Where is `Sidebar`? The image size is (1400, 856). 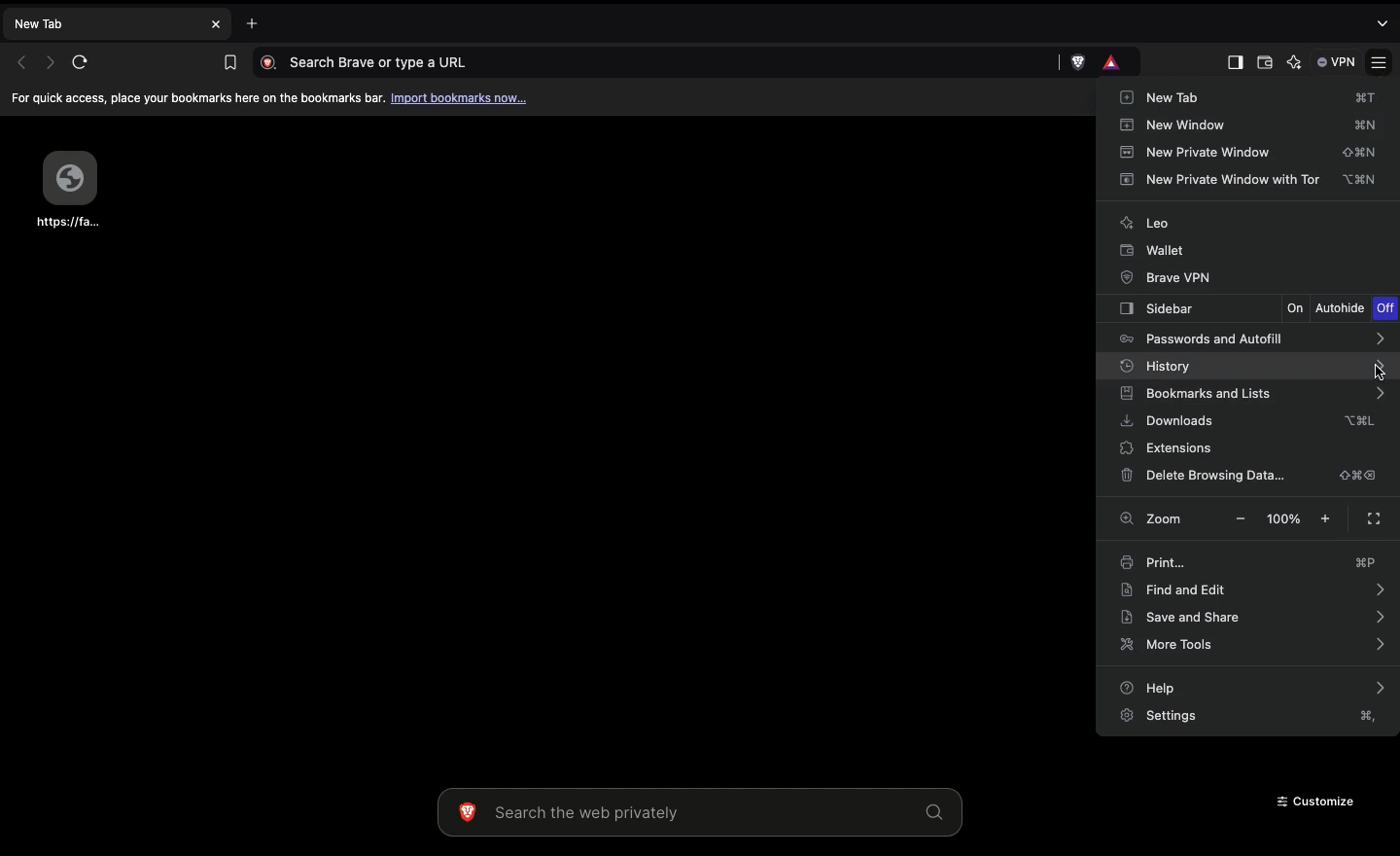
Sidebar is located at coordinates (1160, 307).